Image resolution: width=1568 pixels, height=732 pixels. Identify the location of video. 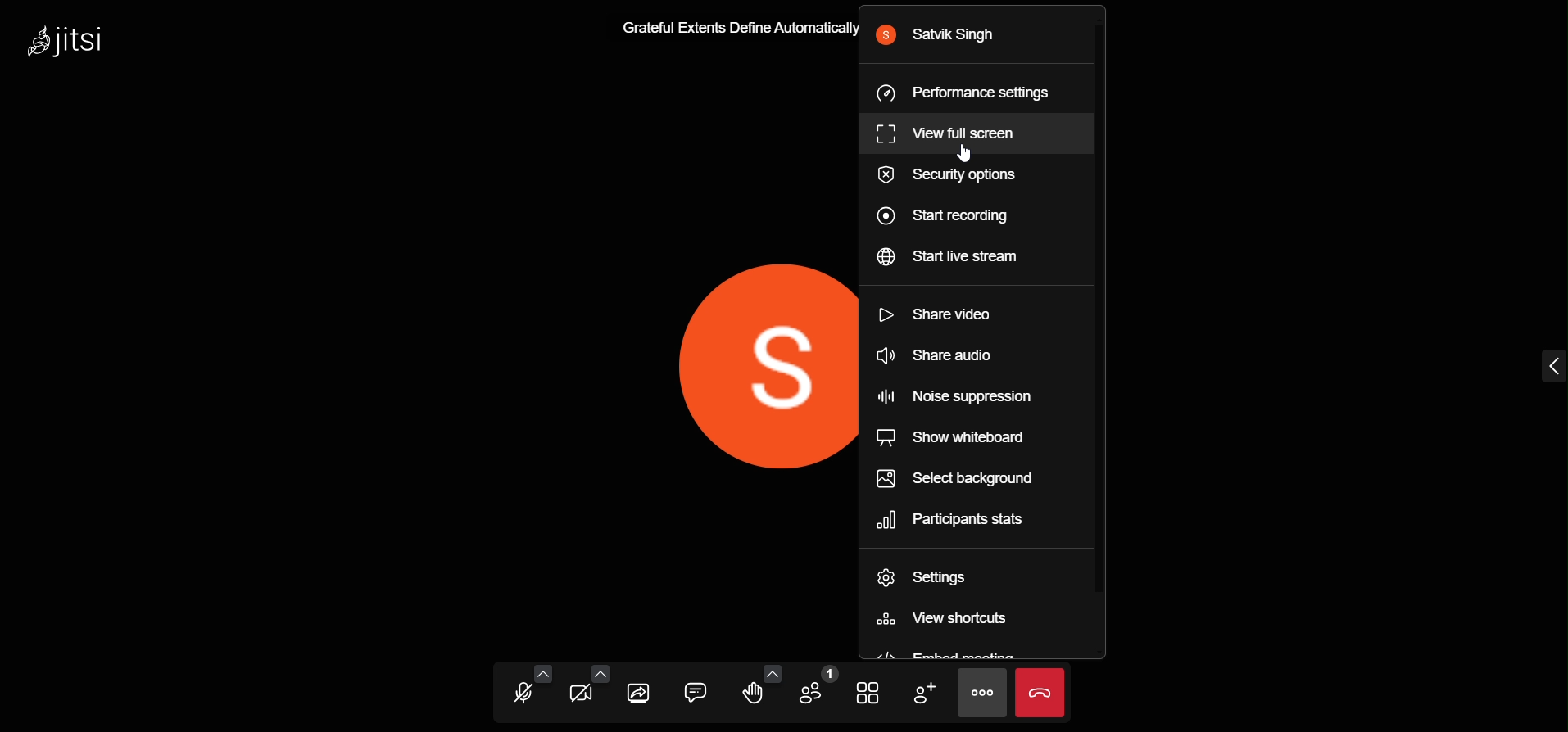
(581, 694).